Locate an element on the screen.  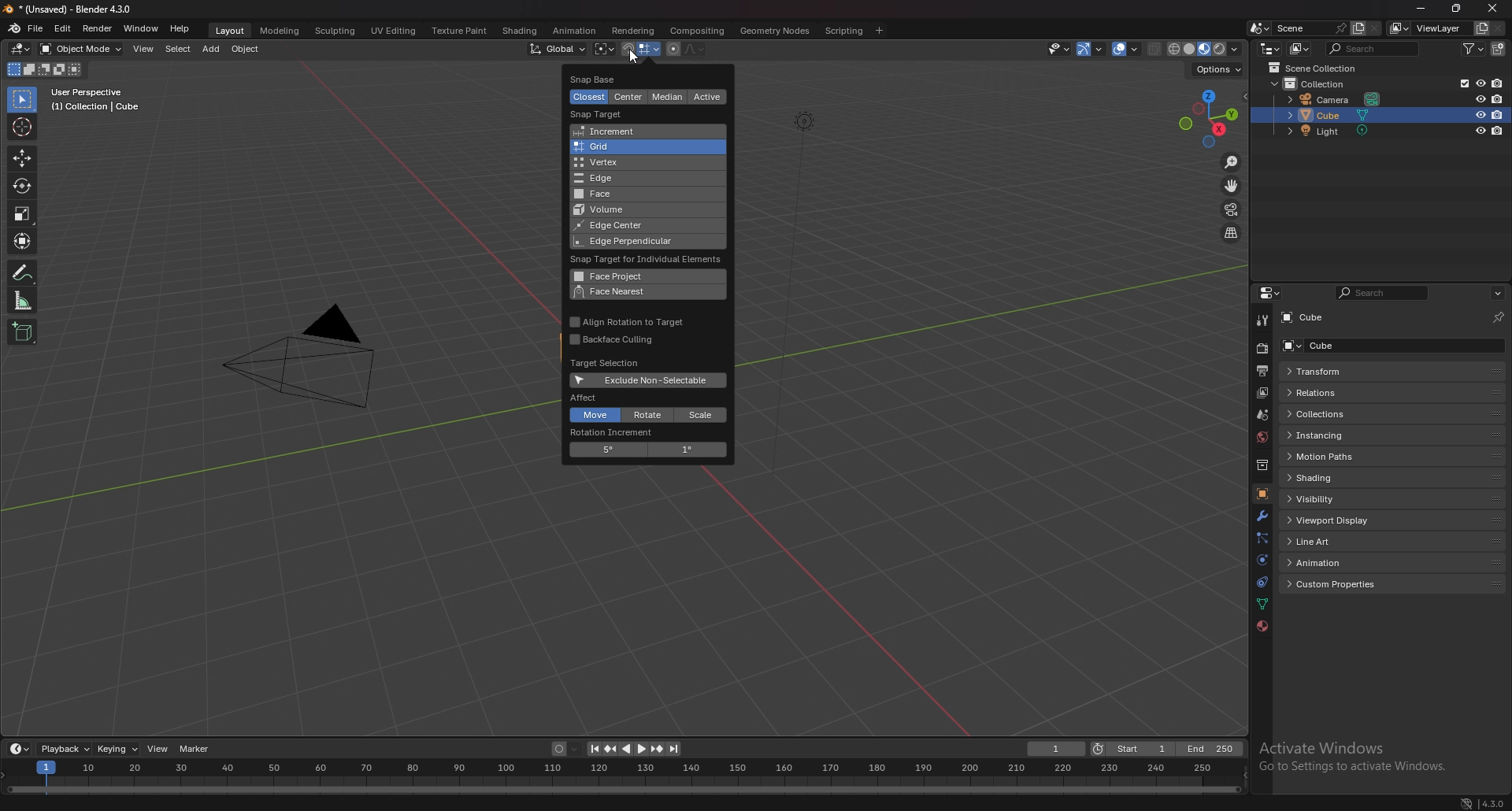
snap target for individual elements is located at coordinates (650, 260).